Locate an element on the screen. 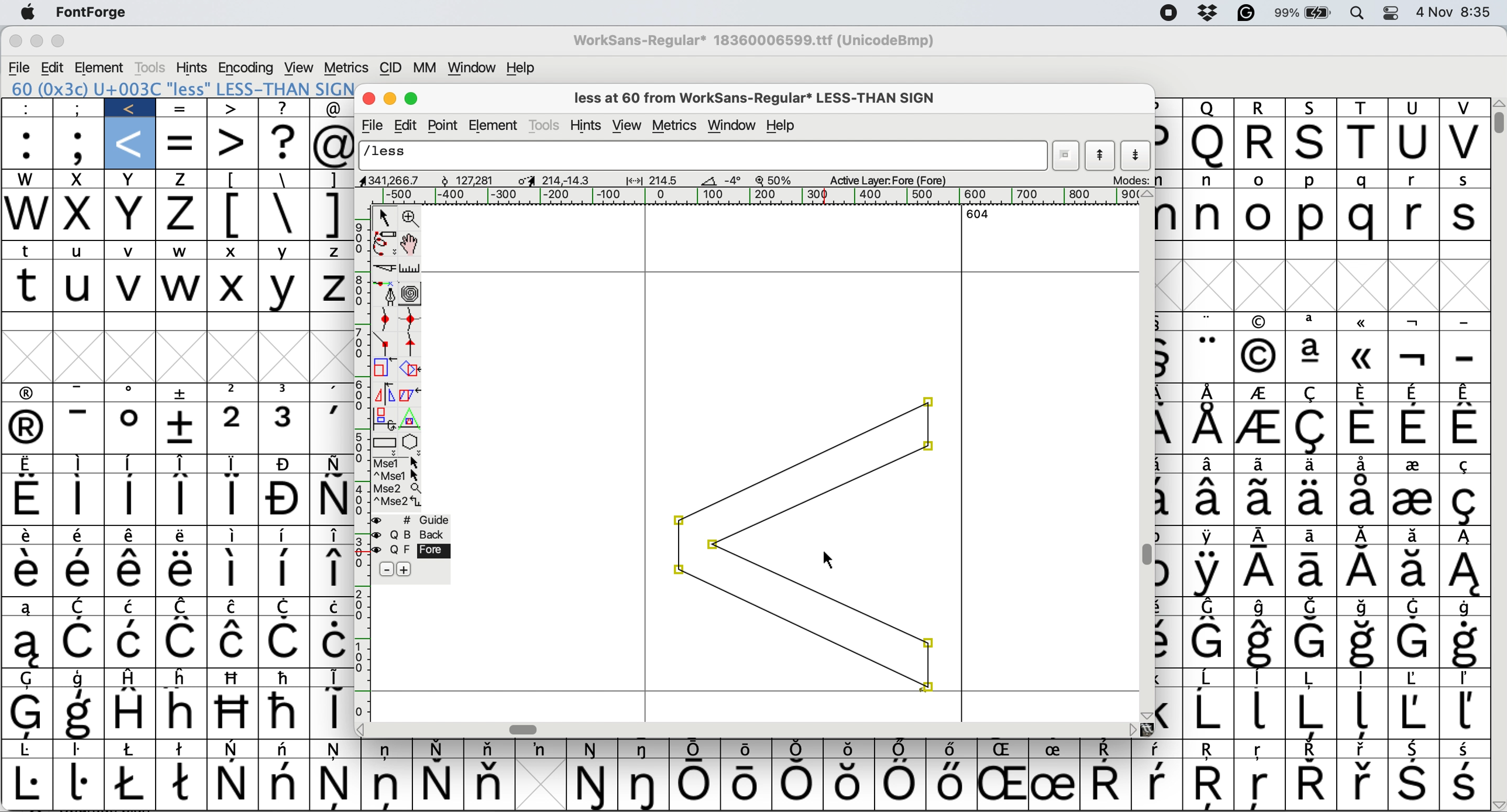 The height and width of the screenshot is (812, 1507). Symbol is located at coordinates (388, 749).